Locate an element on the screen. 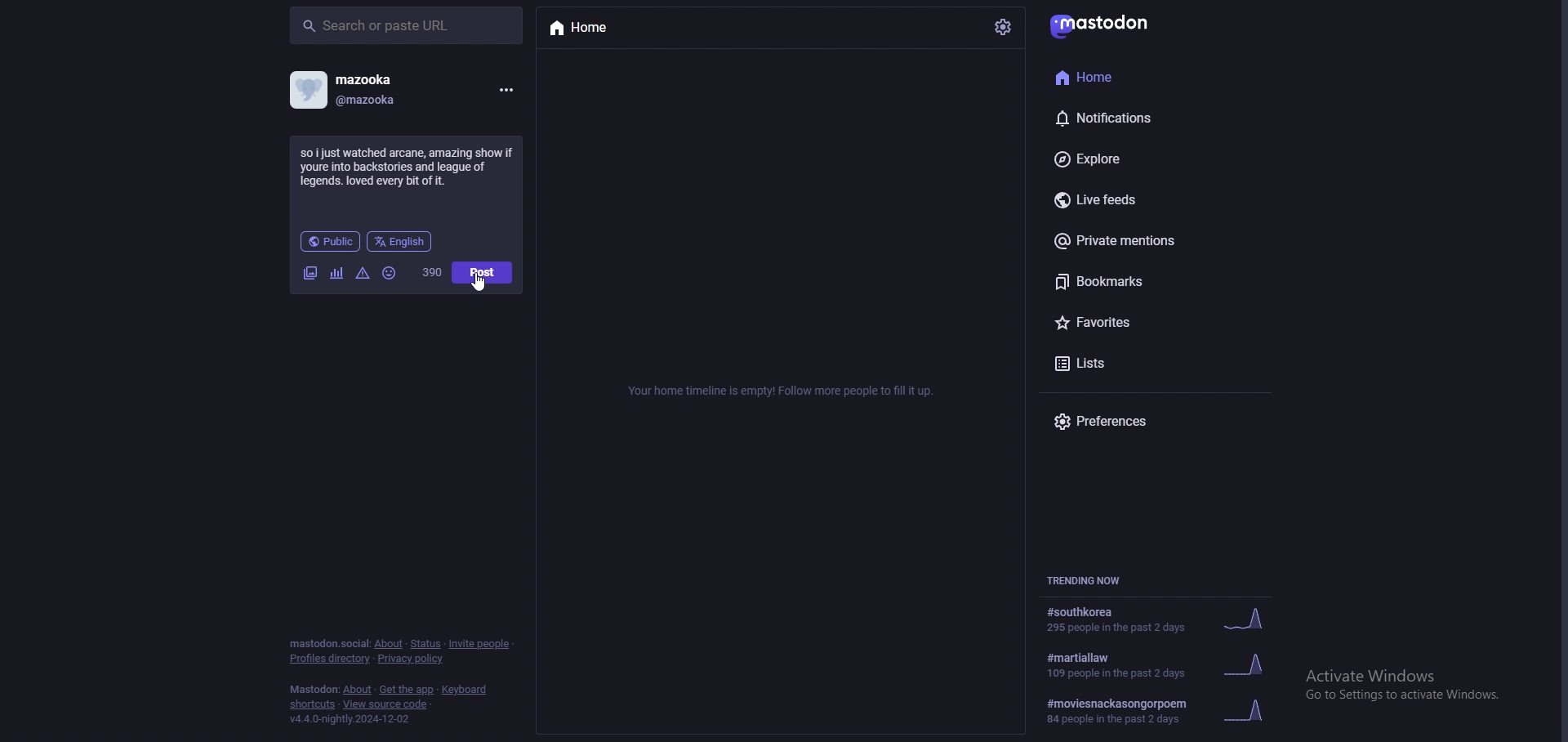 The image size is (1568, 742). home is located at coordinates (584, 27).